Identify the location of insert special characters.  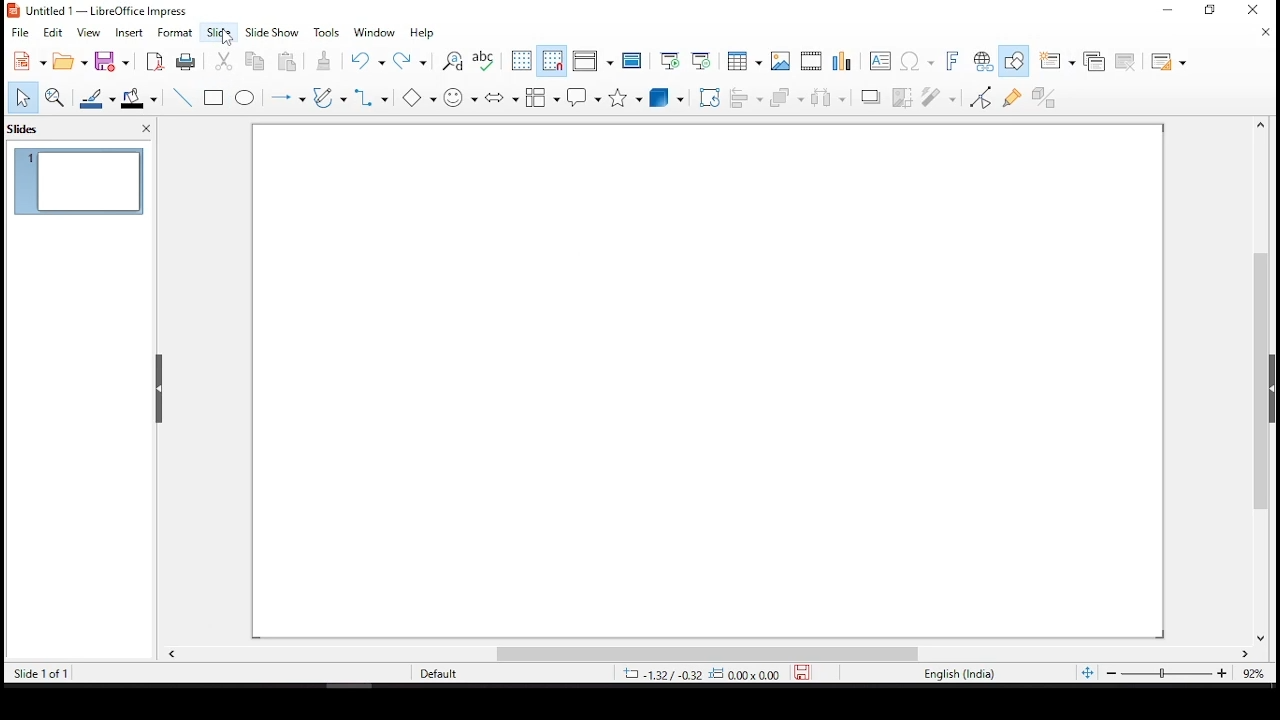
(918, 58).